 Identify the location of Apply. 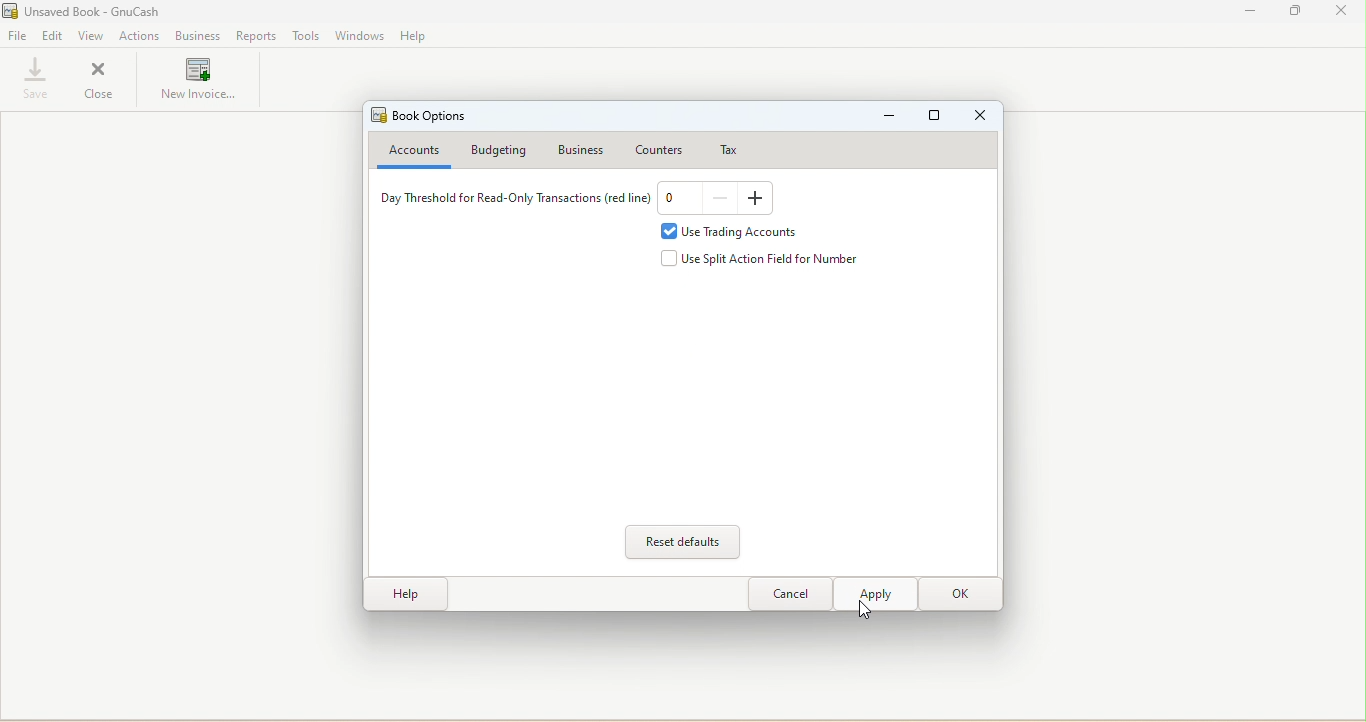
(874, 595).